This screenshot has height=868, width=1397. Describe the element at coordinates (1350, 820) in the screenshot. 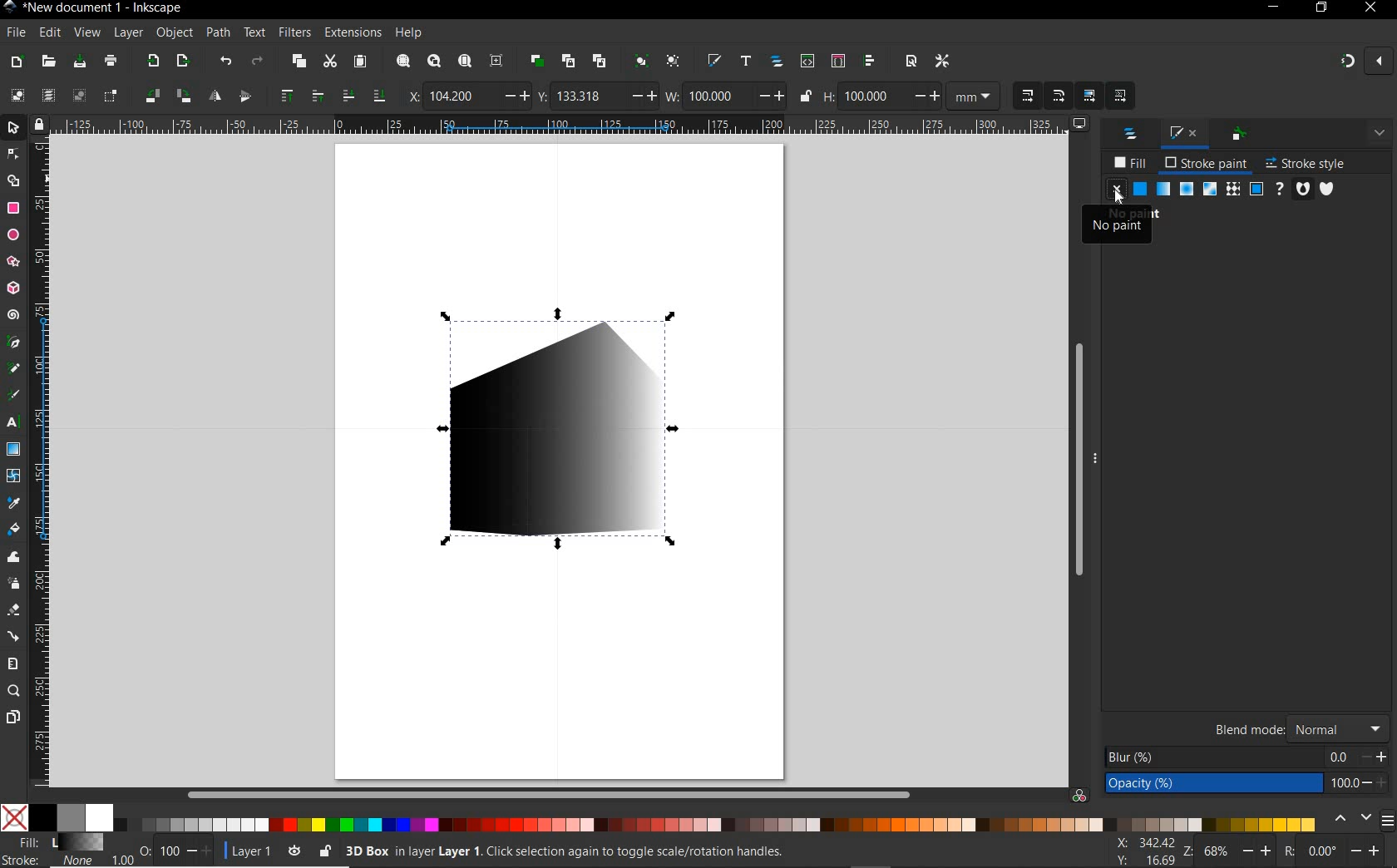

I see `scroll color options` at that location.